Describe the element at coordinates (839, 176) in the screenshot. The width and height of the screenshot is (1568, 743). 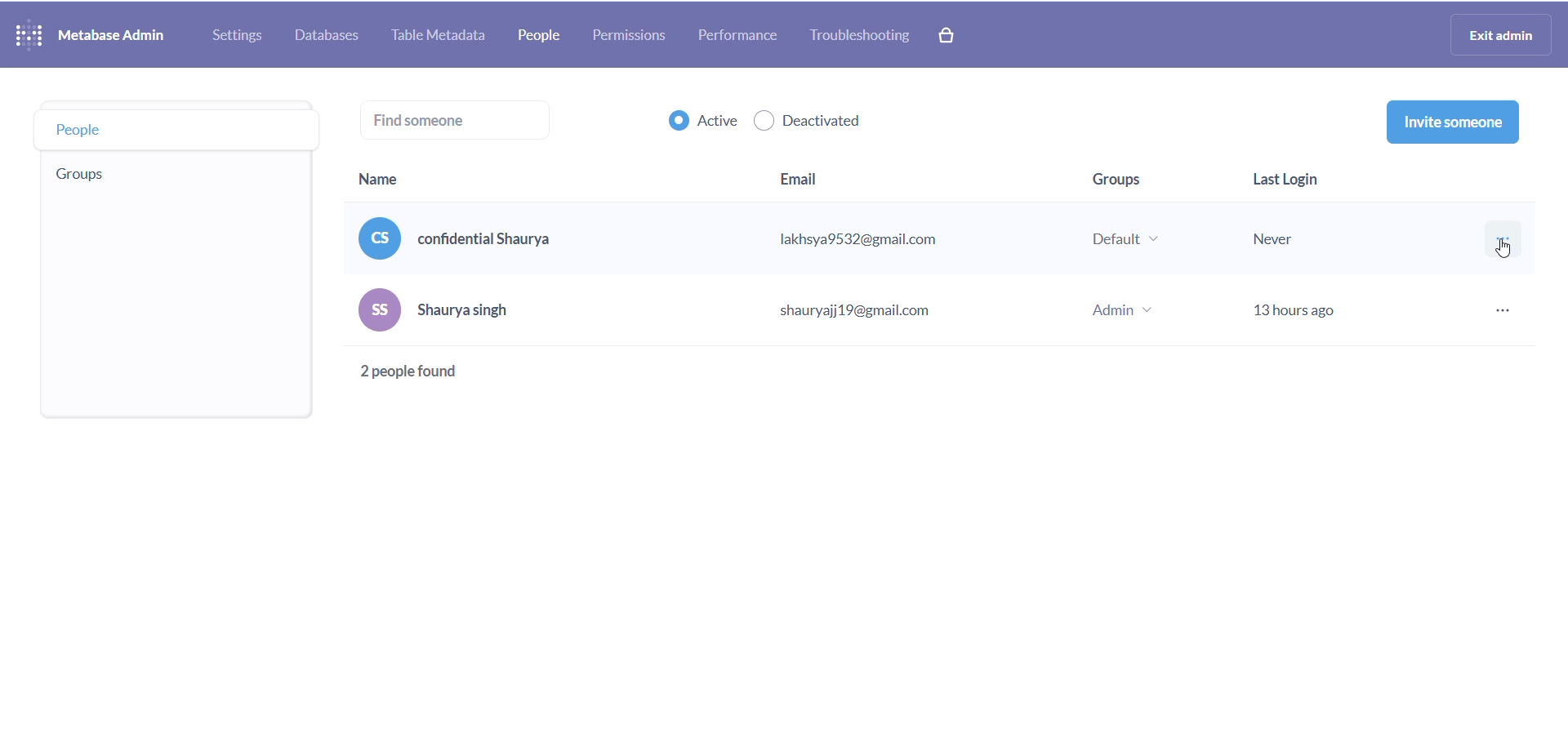
I see `email heading` at that location.